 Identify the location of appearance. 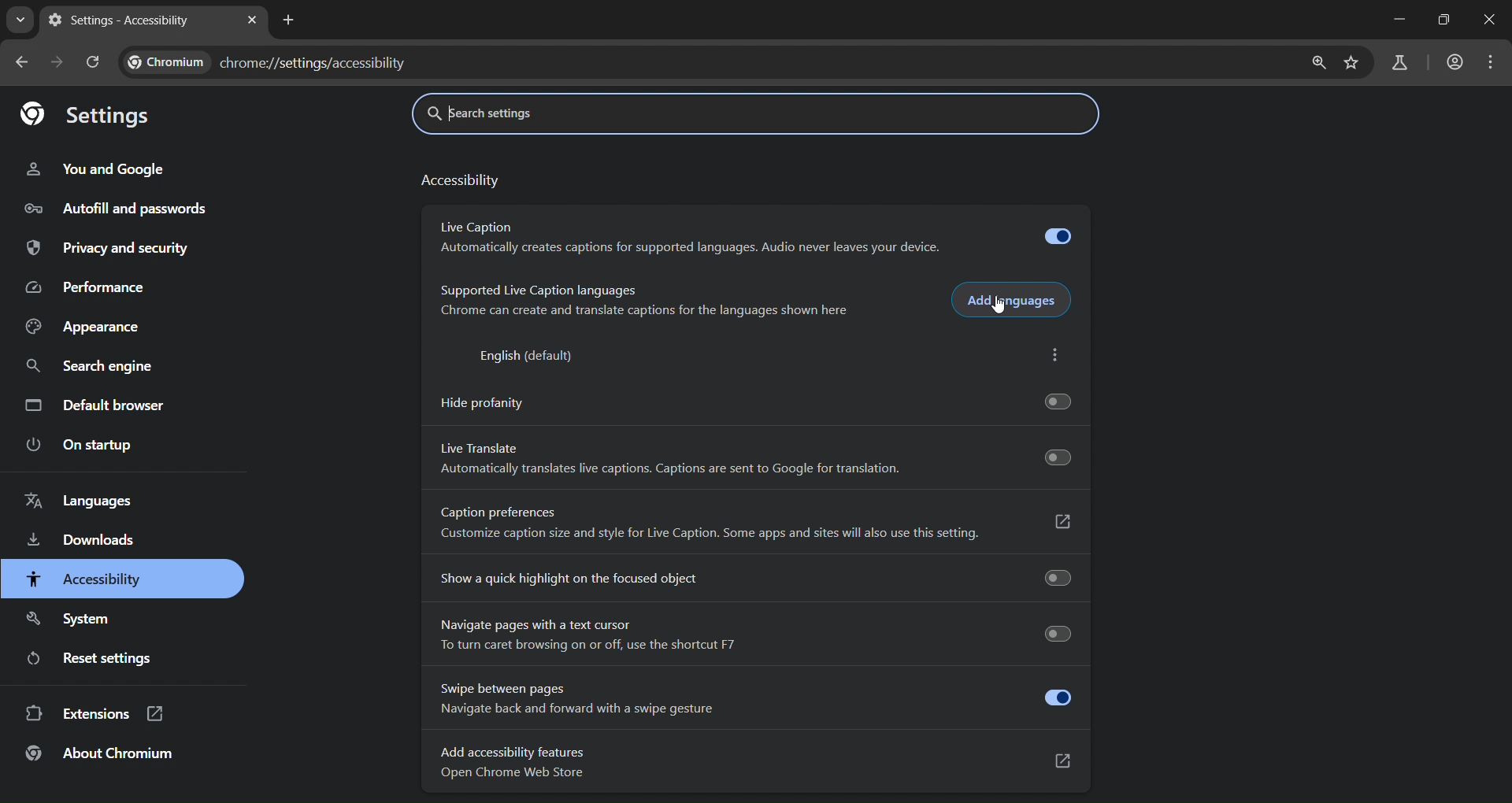
(91, 327).